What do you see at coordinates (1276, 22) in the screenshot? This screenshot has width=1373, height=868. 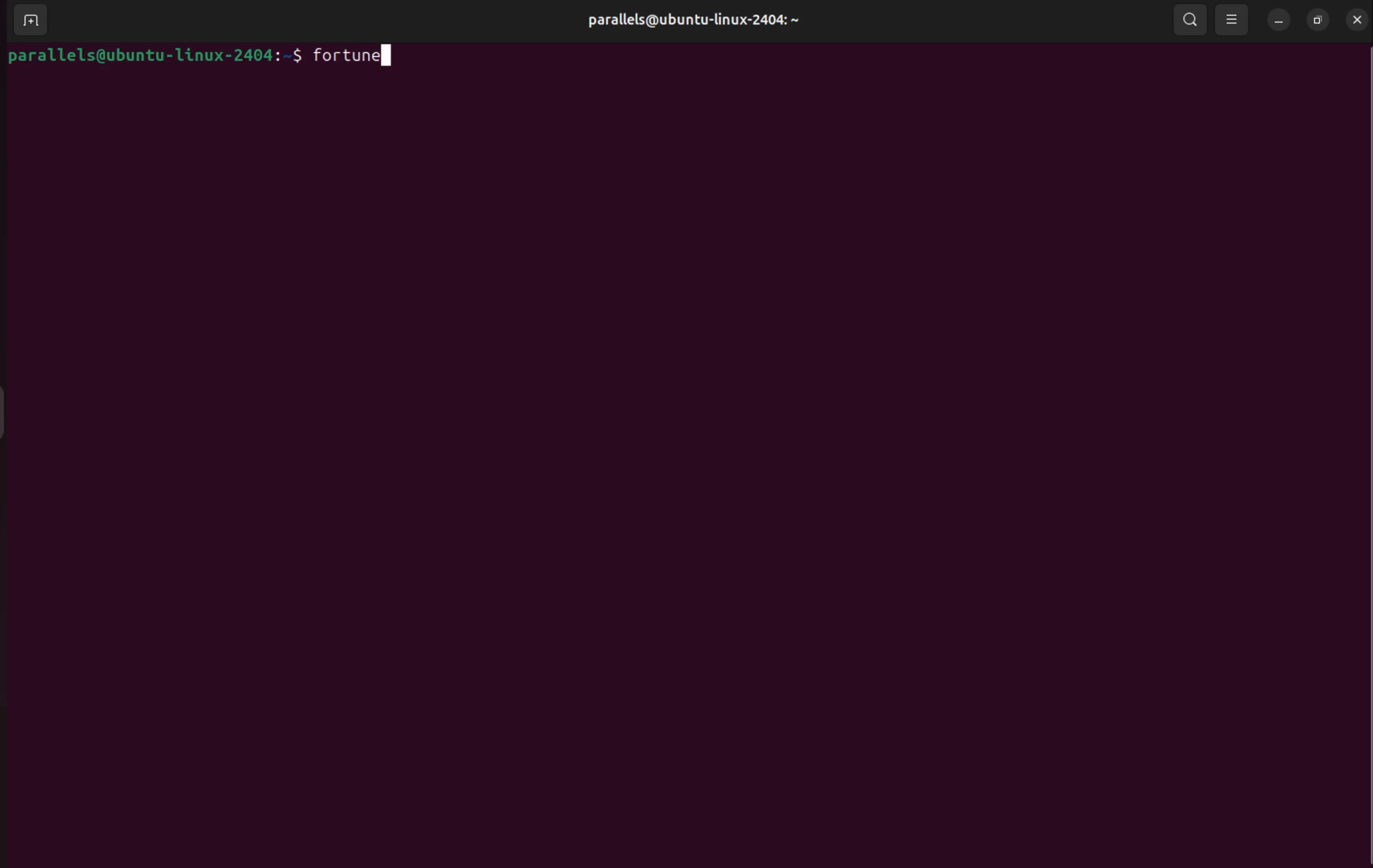 I see `minimize` at bounding box center [1276, 22].